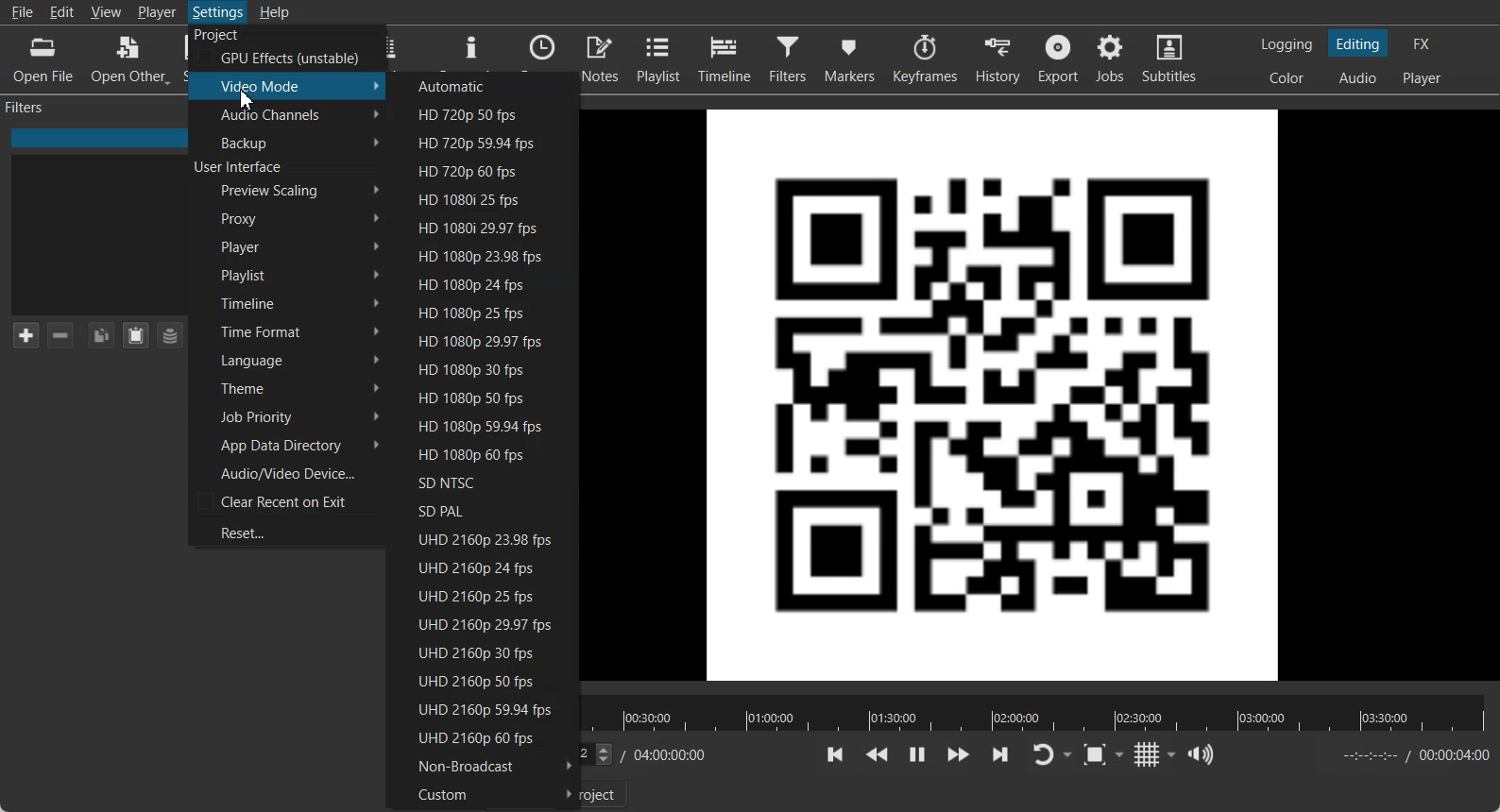 The height and width of the screenshot is (812, 1500). Describe the element at coordinates (287, 331) in the screenshot. I see `Time Format` at that location.